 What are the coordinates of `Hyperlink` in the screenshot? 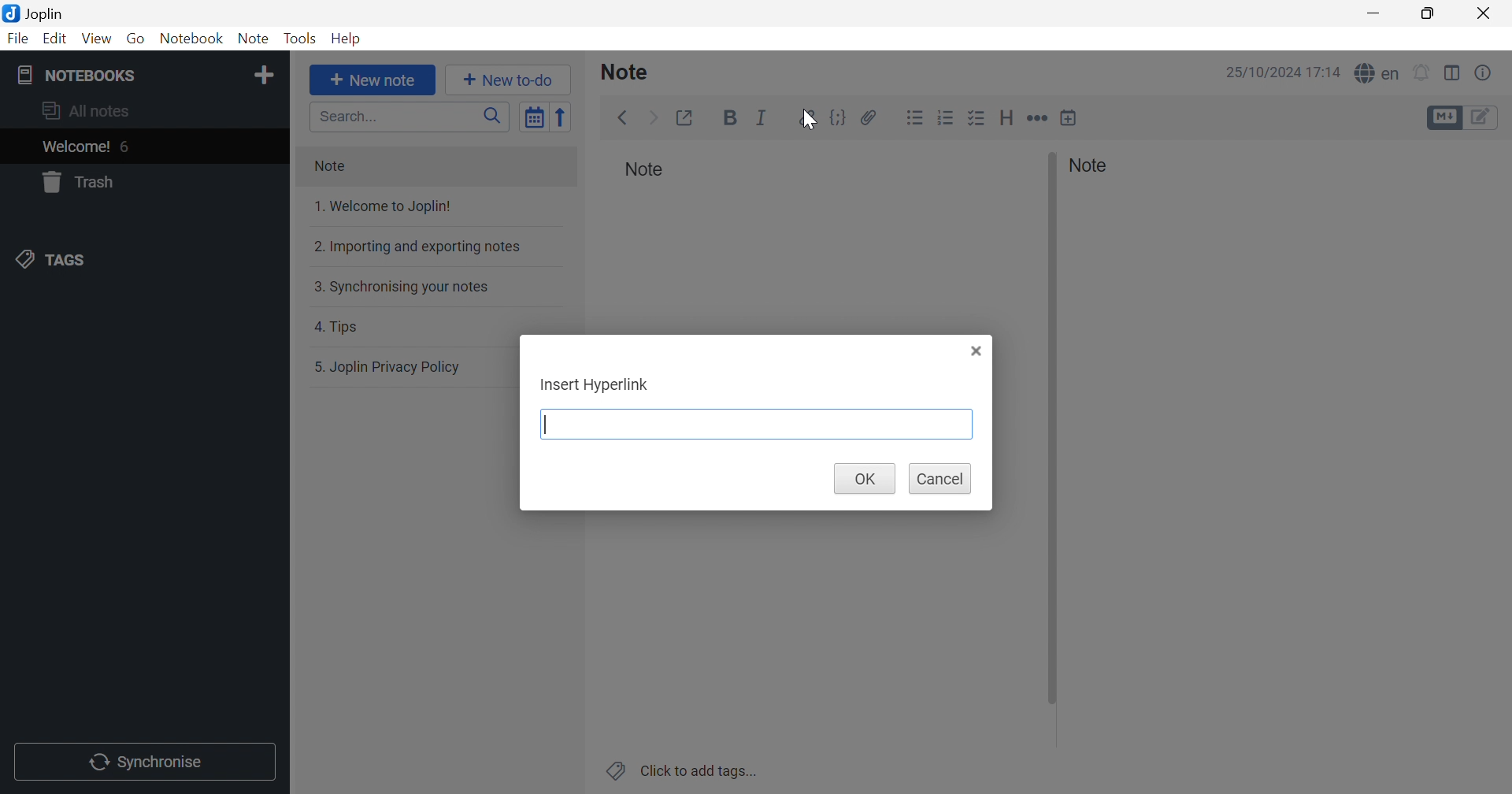 It's located at (803, 117).